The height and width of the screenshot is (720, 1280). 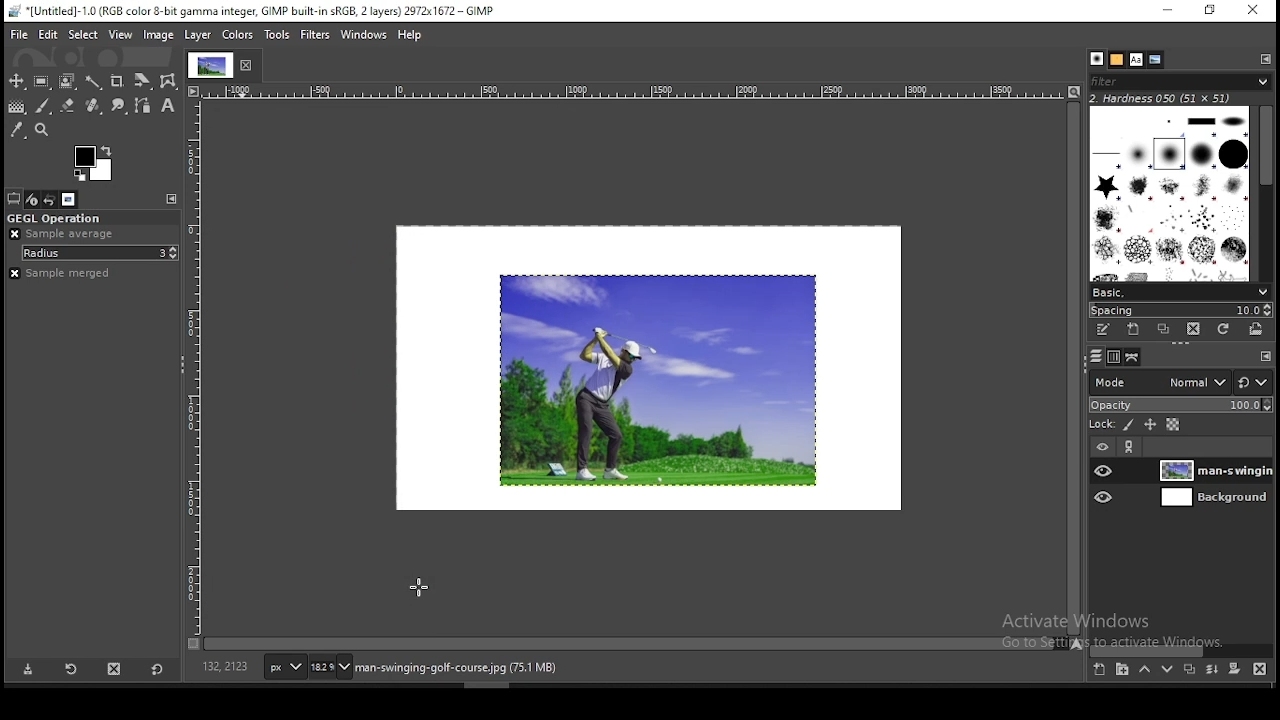 What do you see at coordinates (419, 587) in the screenshot?
I see `mouse pointer` at bounding box center [419, 587].